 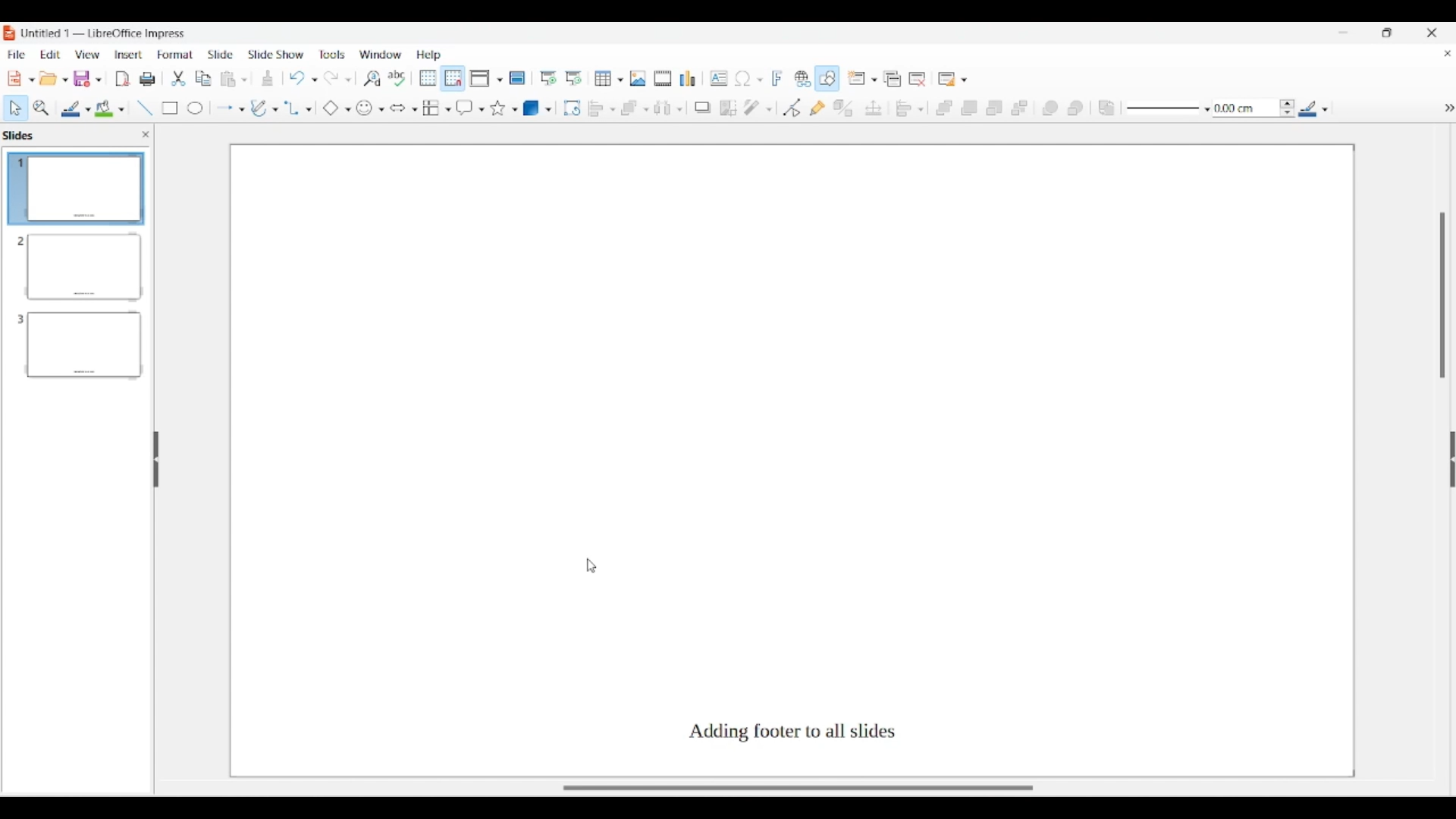 What do you see at coordinates (1387, 33) in the screenshot?
I see `Show in smaller tab` at bounding box center [1387, 33].